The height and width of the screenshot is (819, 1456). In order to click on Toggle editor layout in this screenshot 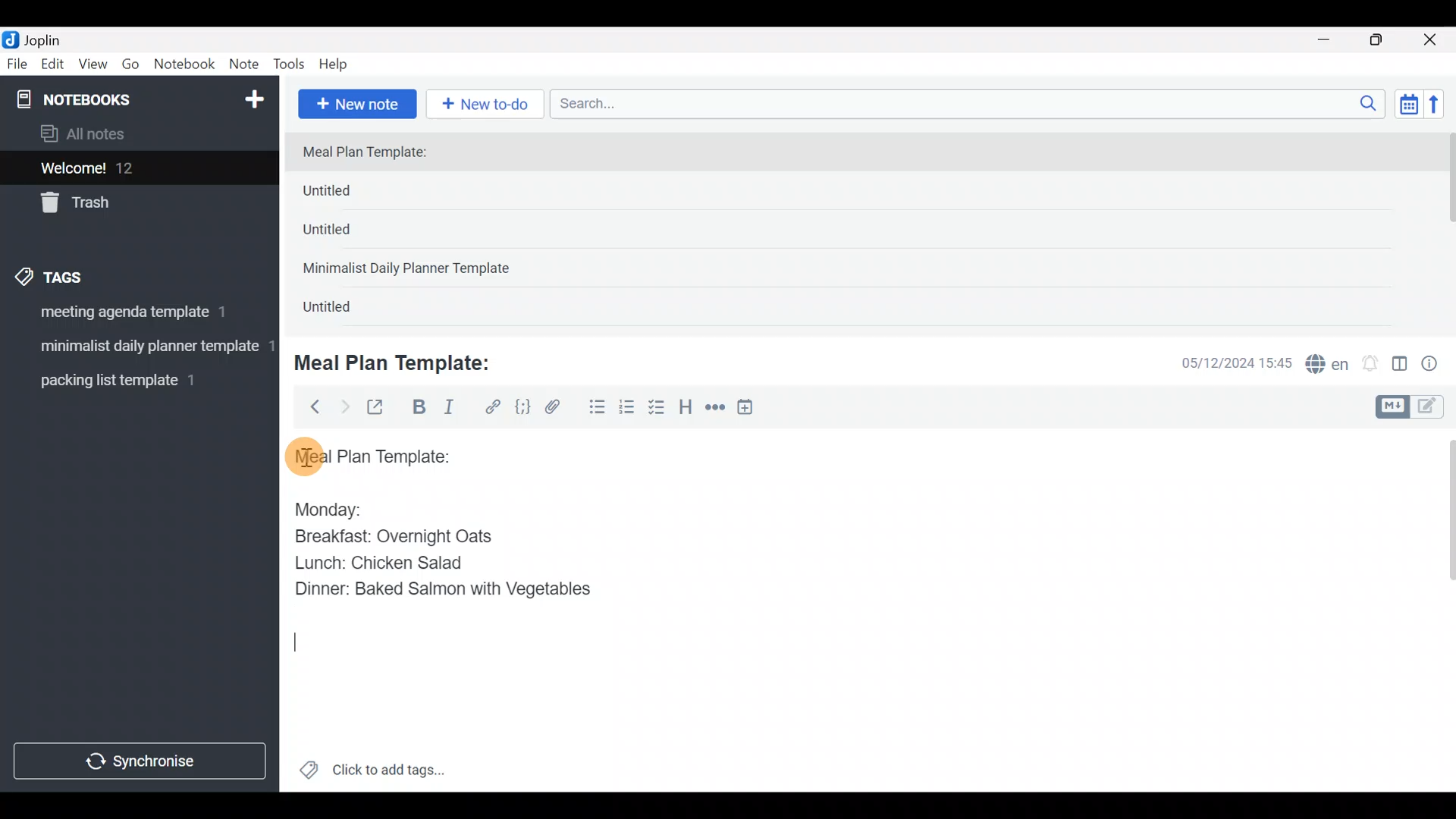, I will do `click(1401, 366)`.